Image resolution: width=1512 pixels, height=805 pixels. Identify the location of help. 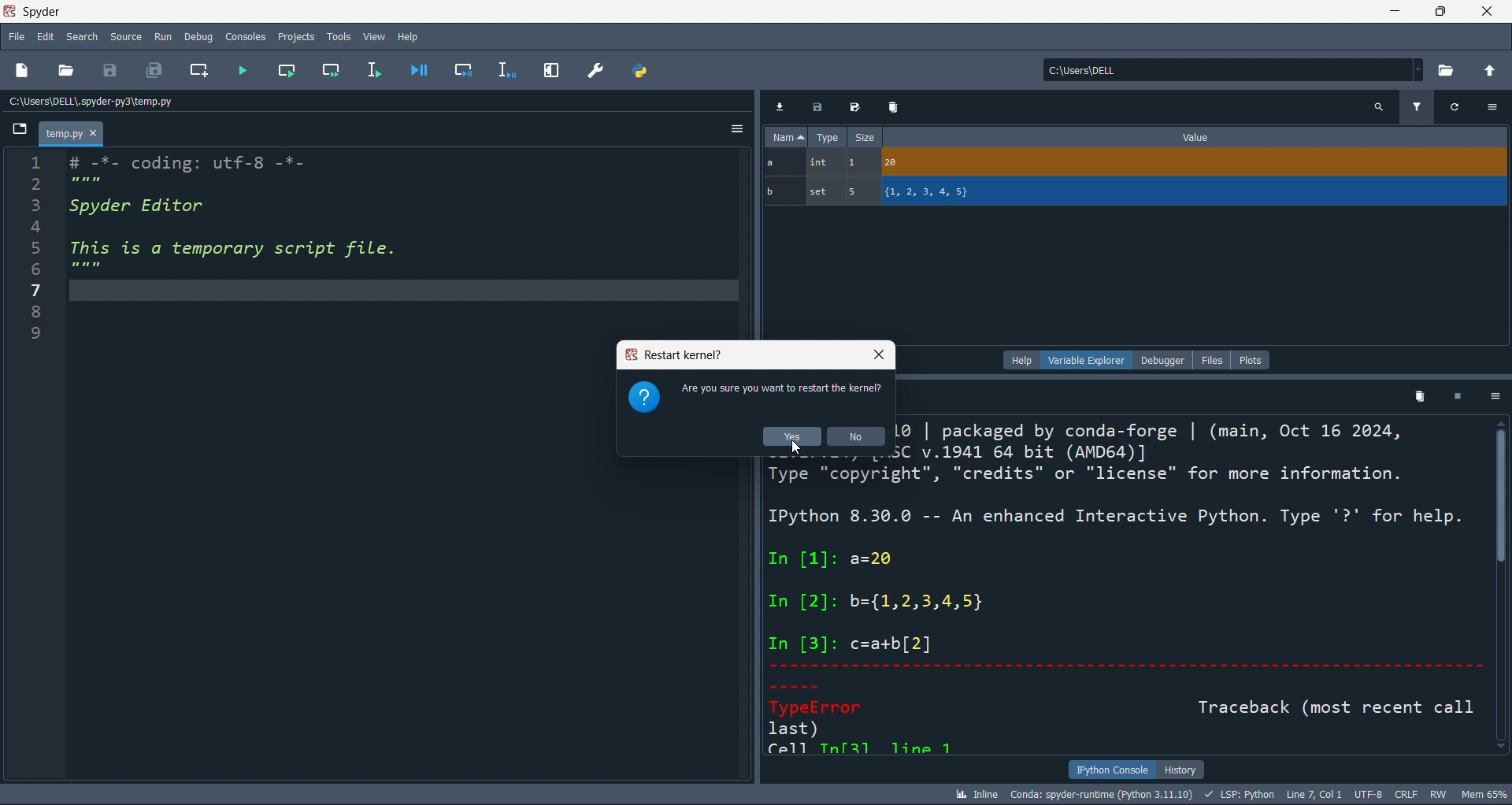
(1021, 360).